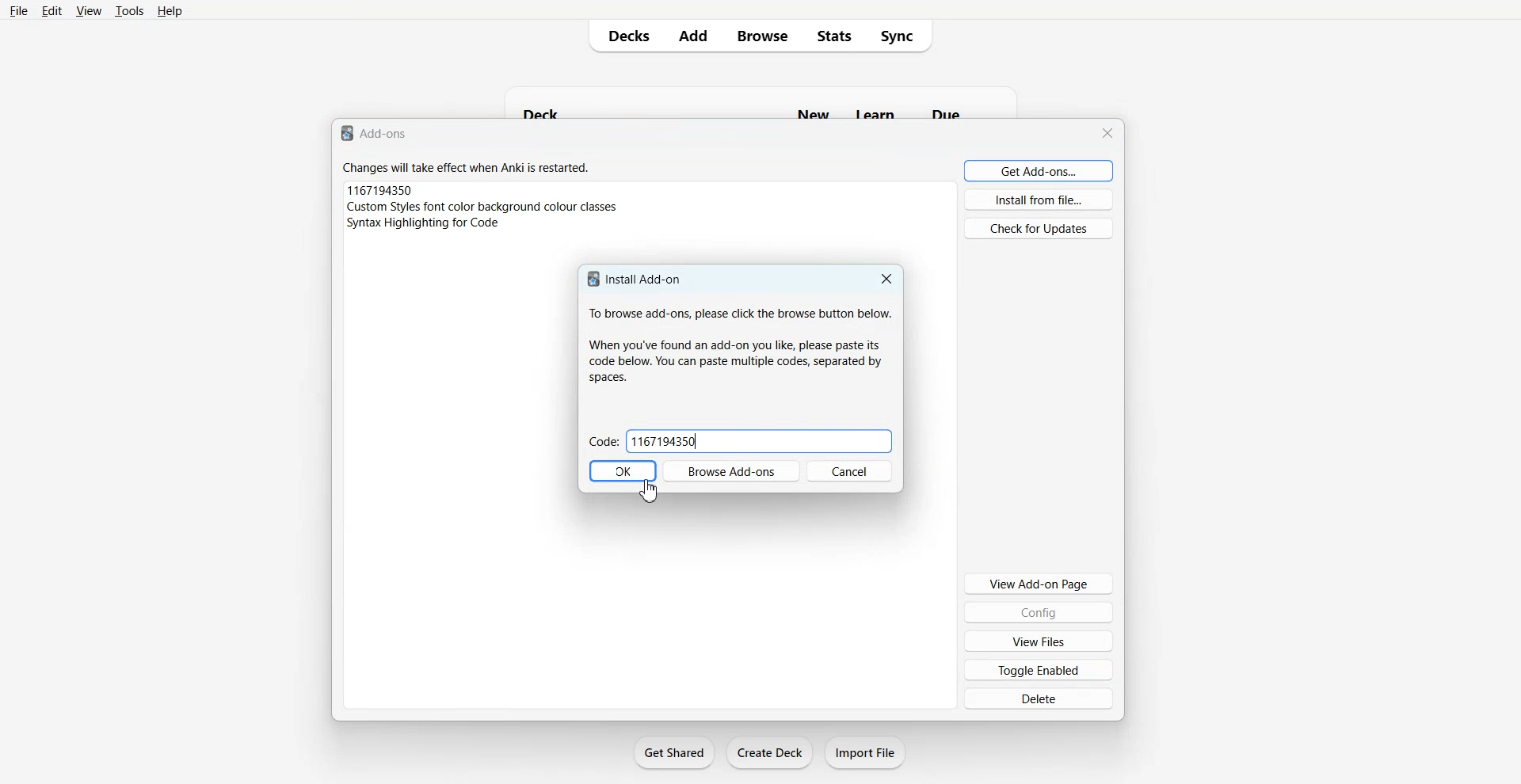  Describe the element at coordinates (1039, 170) in the screenshot. I see `Get Add ons` at that location.